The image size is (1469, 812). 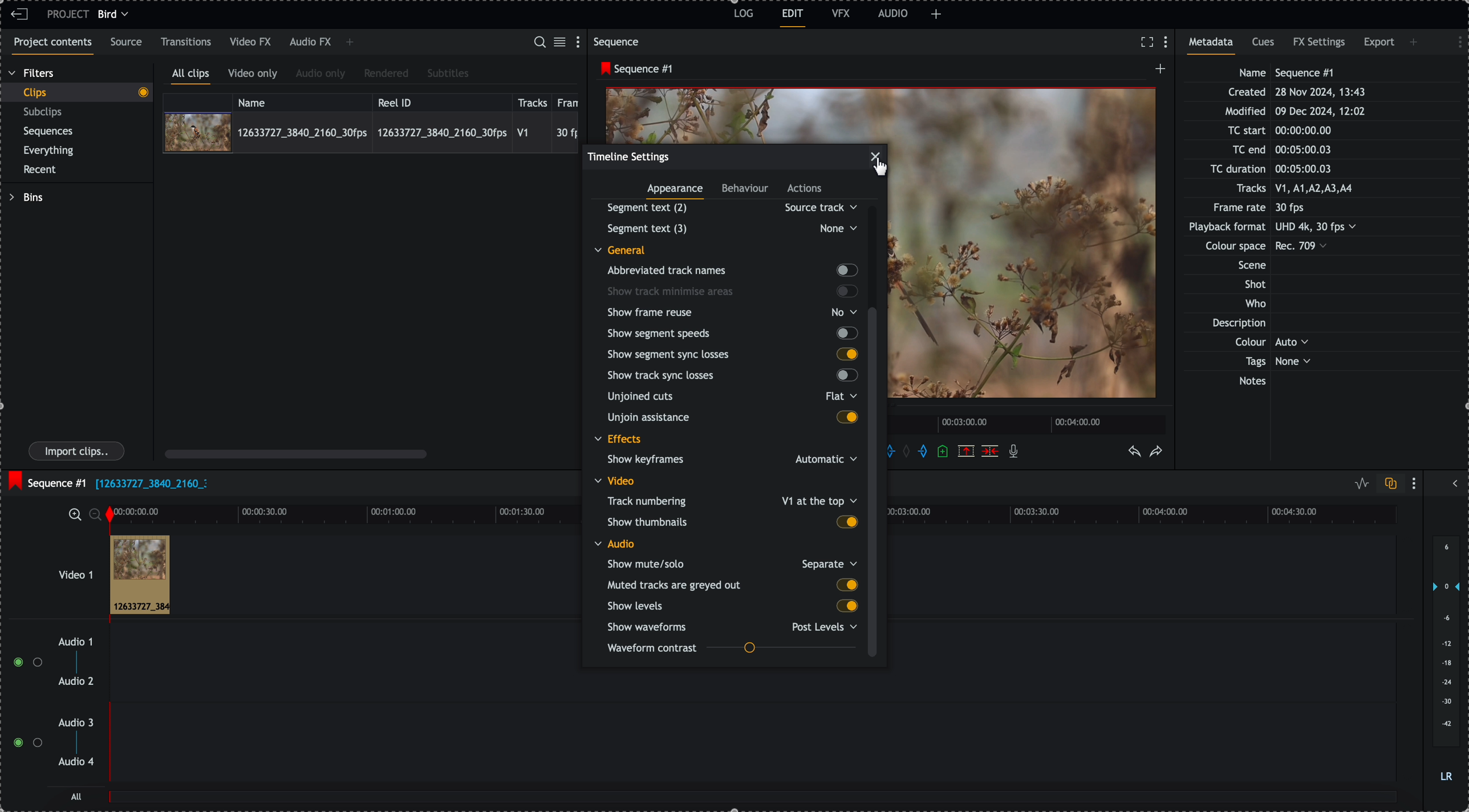 I want to click on show keyframes, so click(x=727, y=461).